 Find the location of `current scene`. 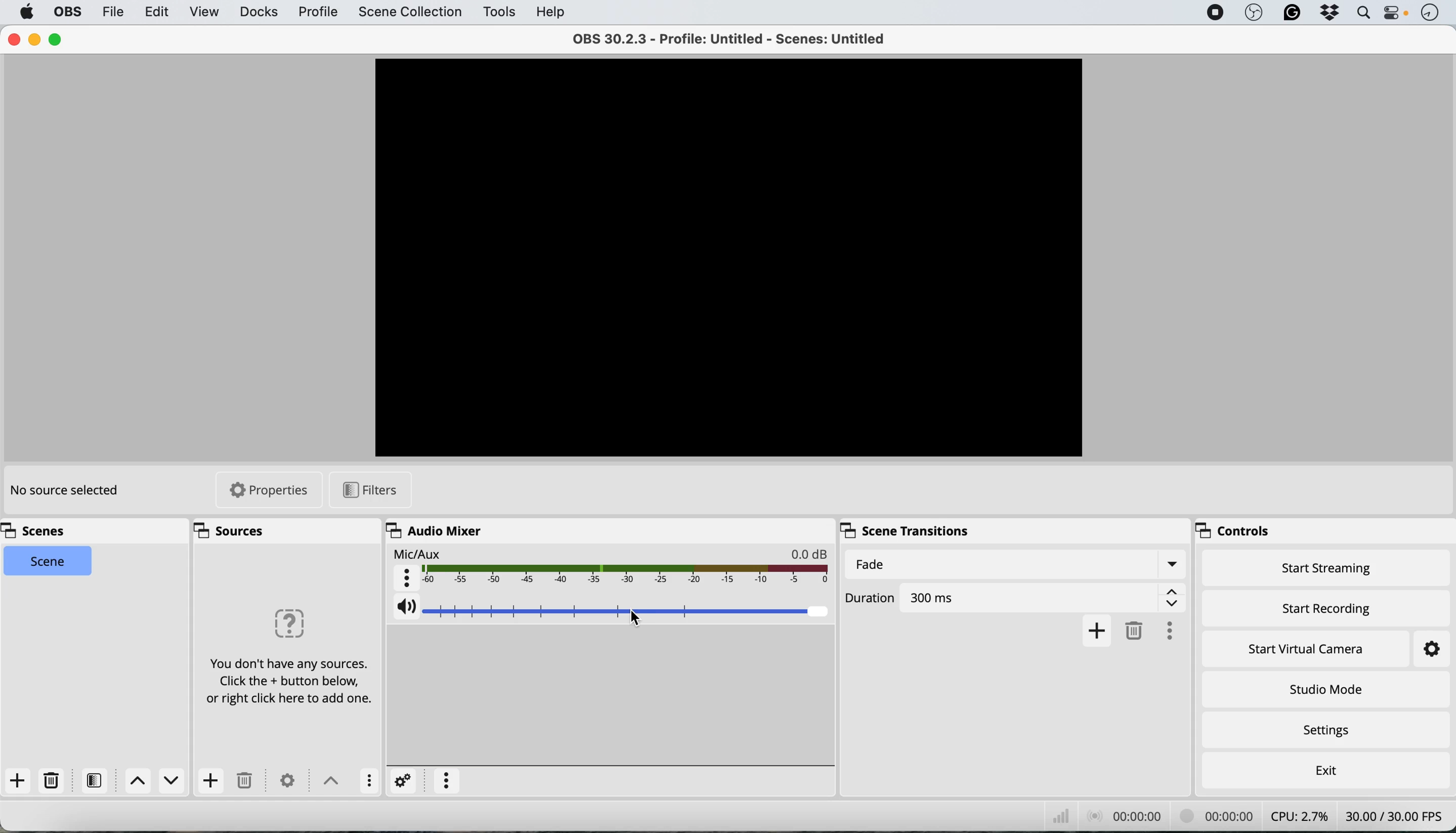

current scene is located at coordinates (46, 562).